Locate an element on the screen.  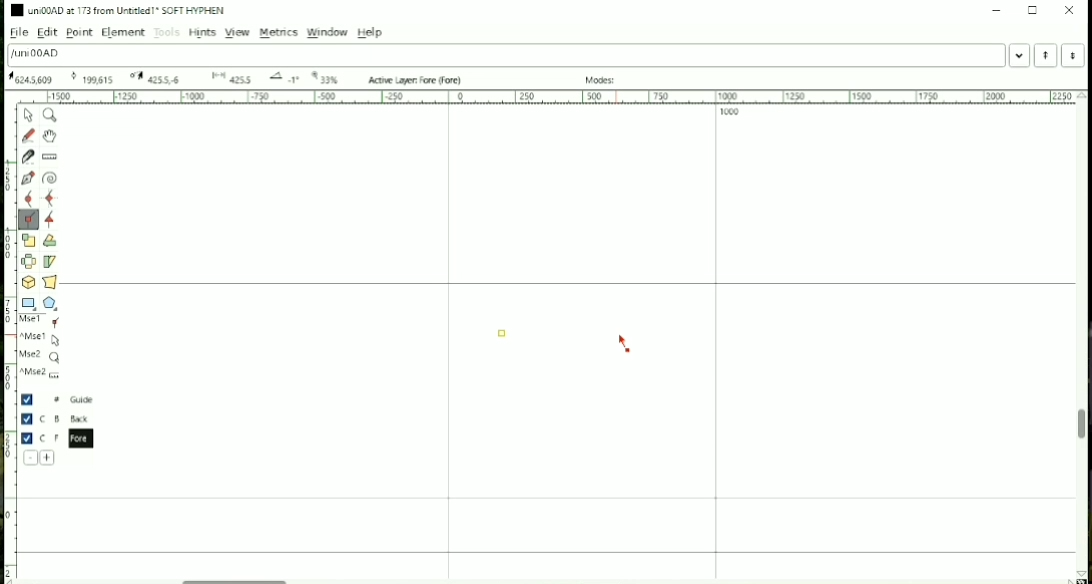
Guide is located at coordinates (59, 400).